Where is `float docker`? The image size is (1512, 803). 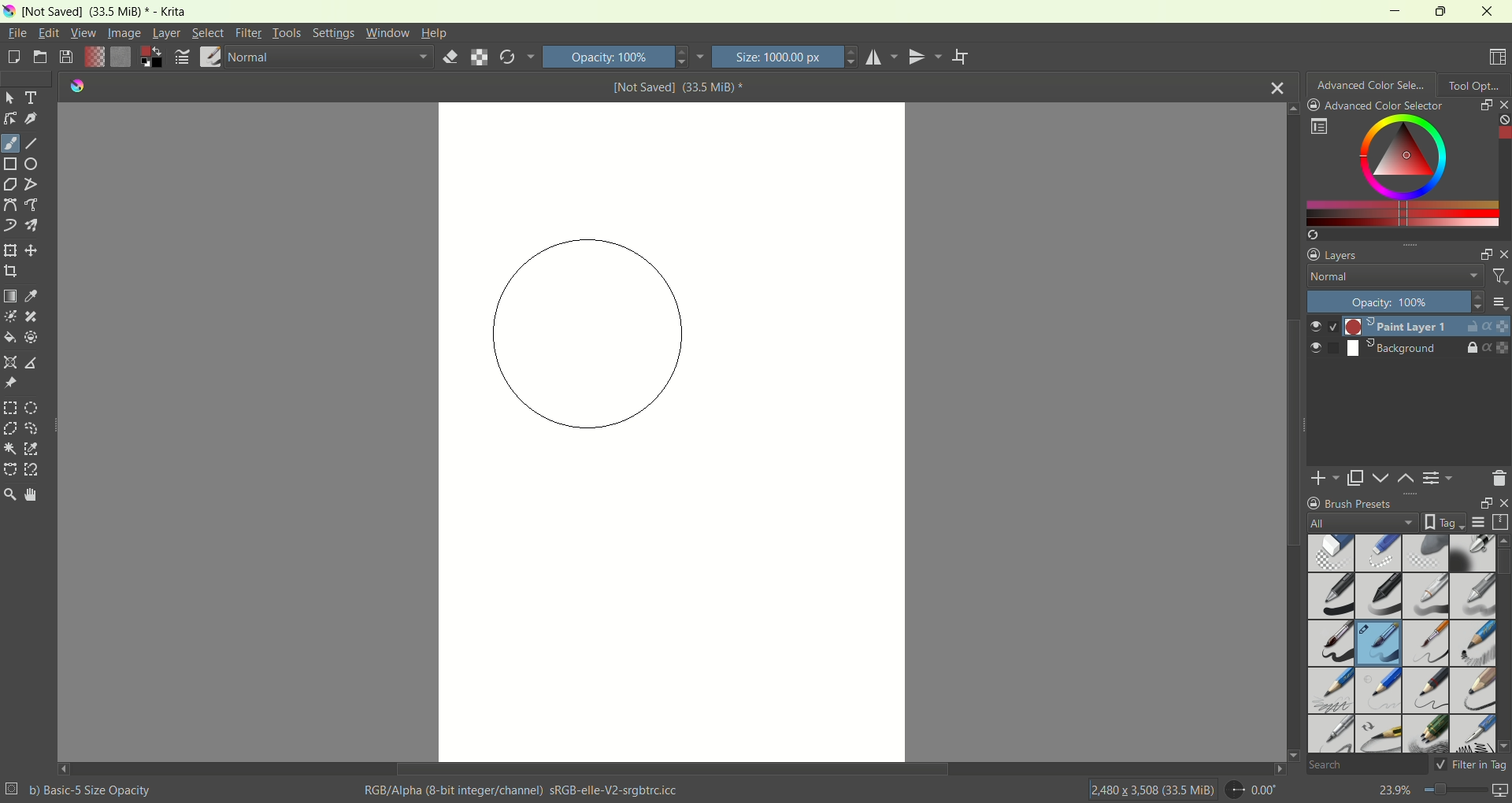
float docker is located at coordinates (1485, 104).